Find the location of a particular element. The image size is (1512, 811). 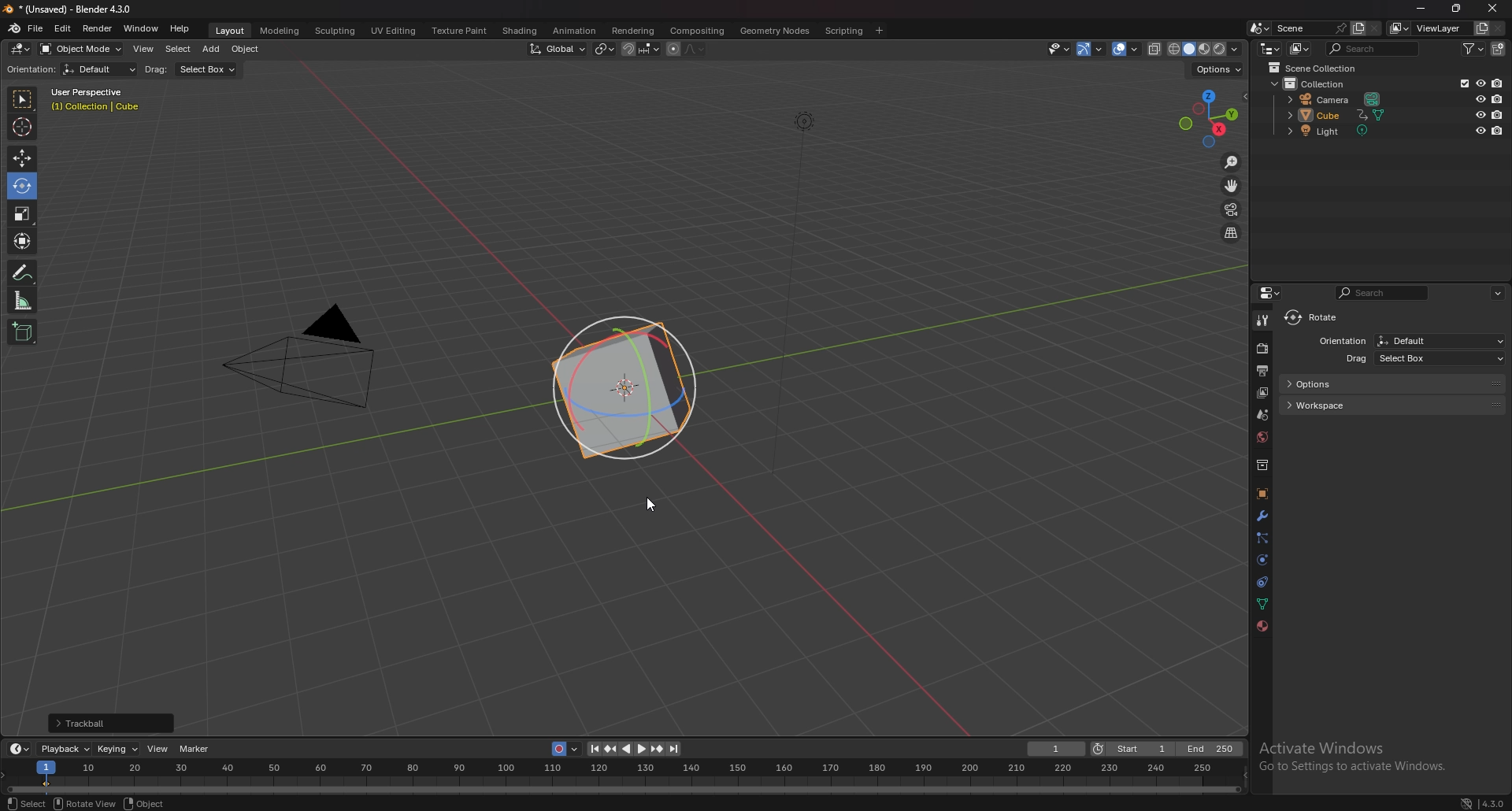

Maximize is located at coordinates (1458, 9).